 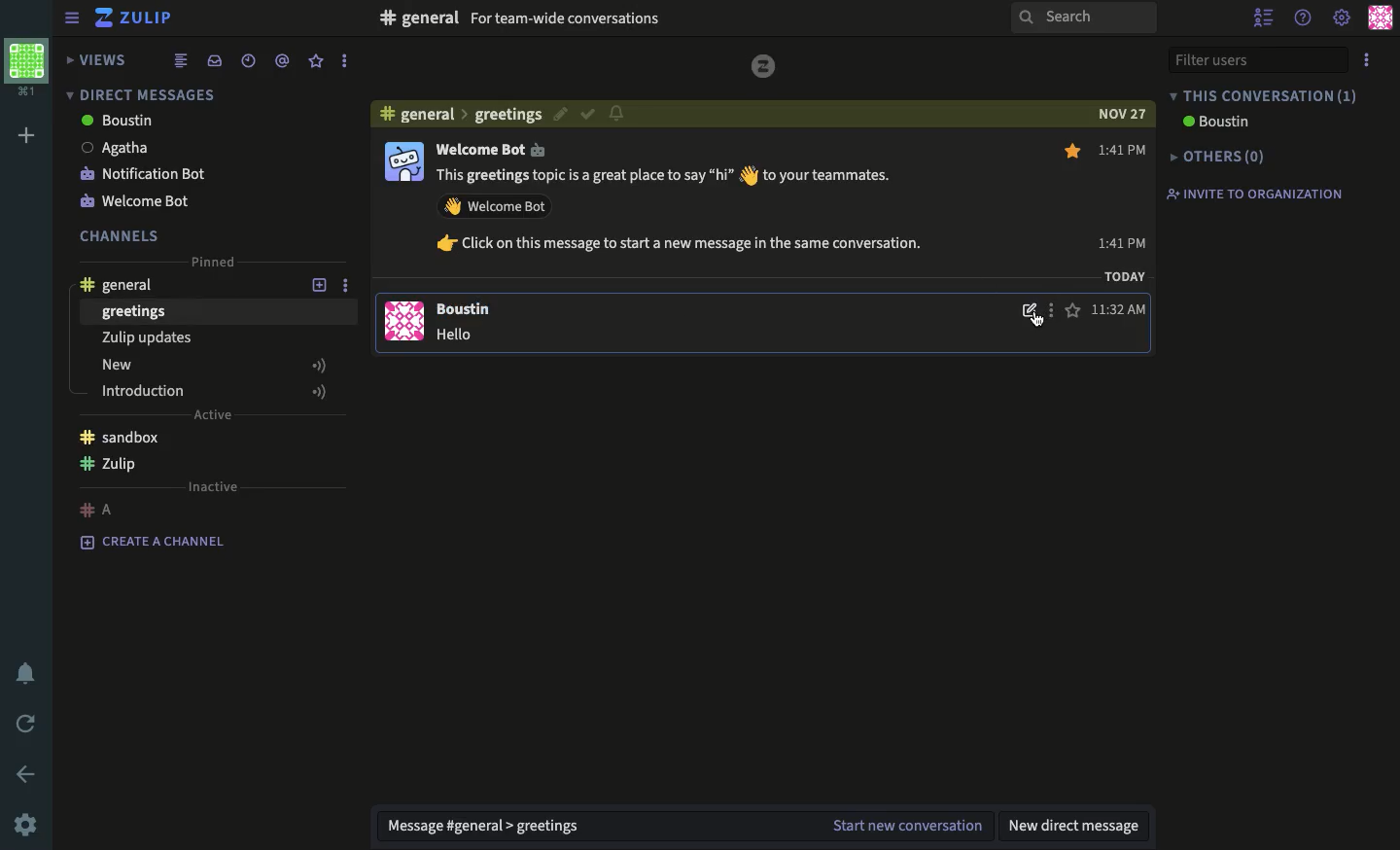 I want to click on user profile, so click(x=1382, y=18).